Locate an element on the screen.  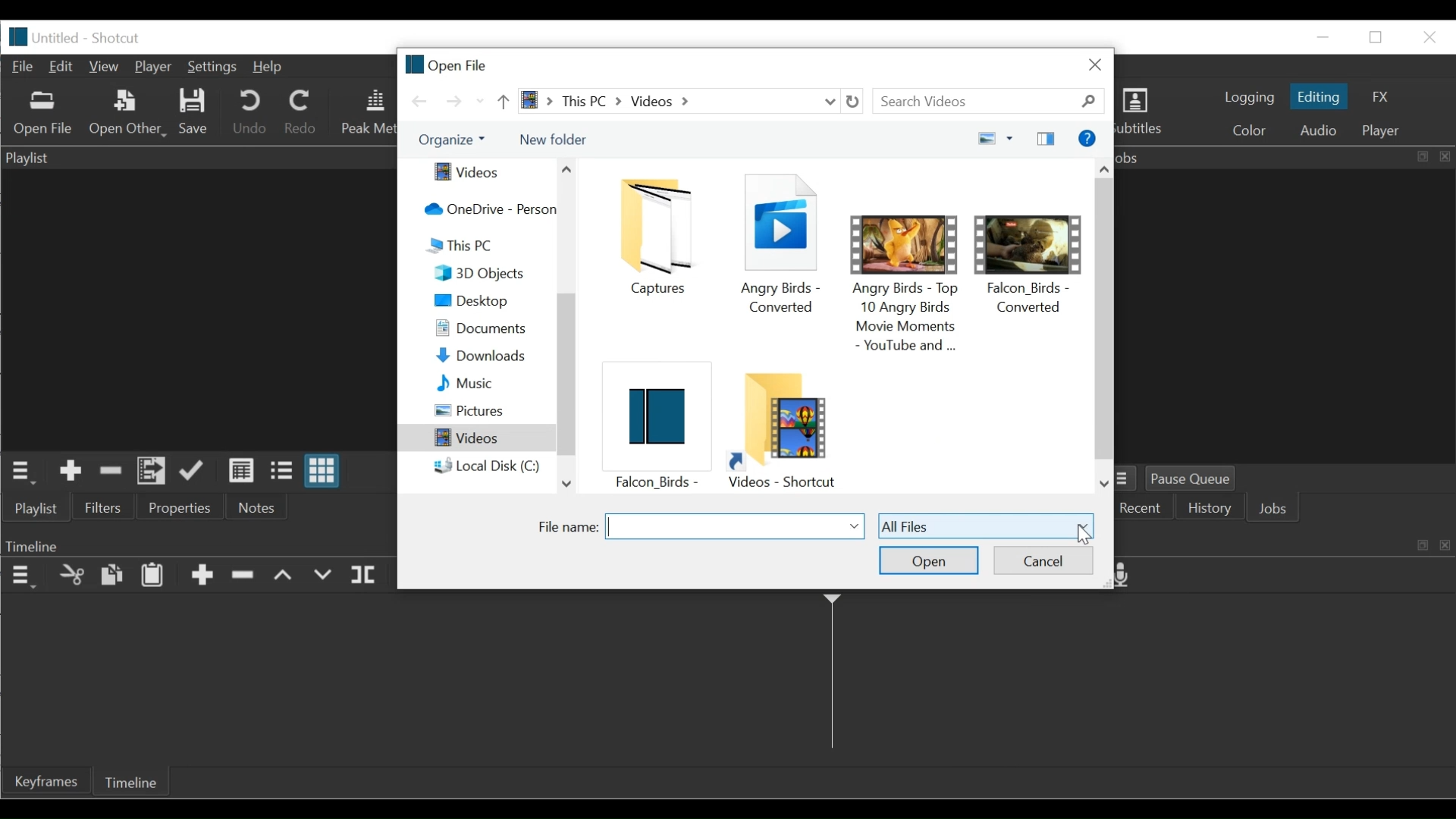
local Disk (C:) is located at coordinates (488, 466).